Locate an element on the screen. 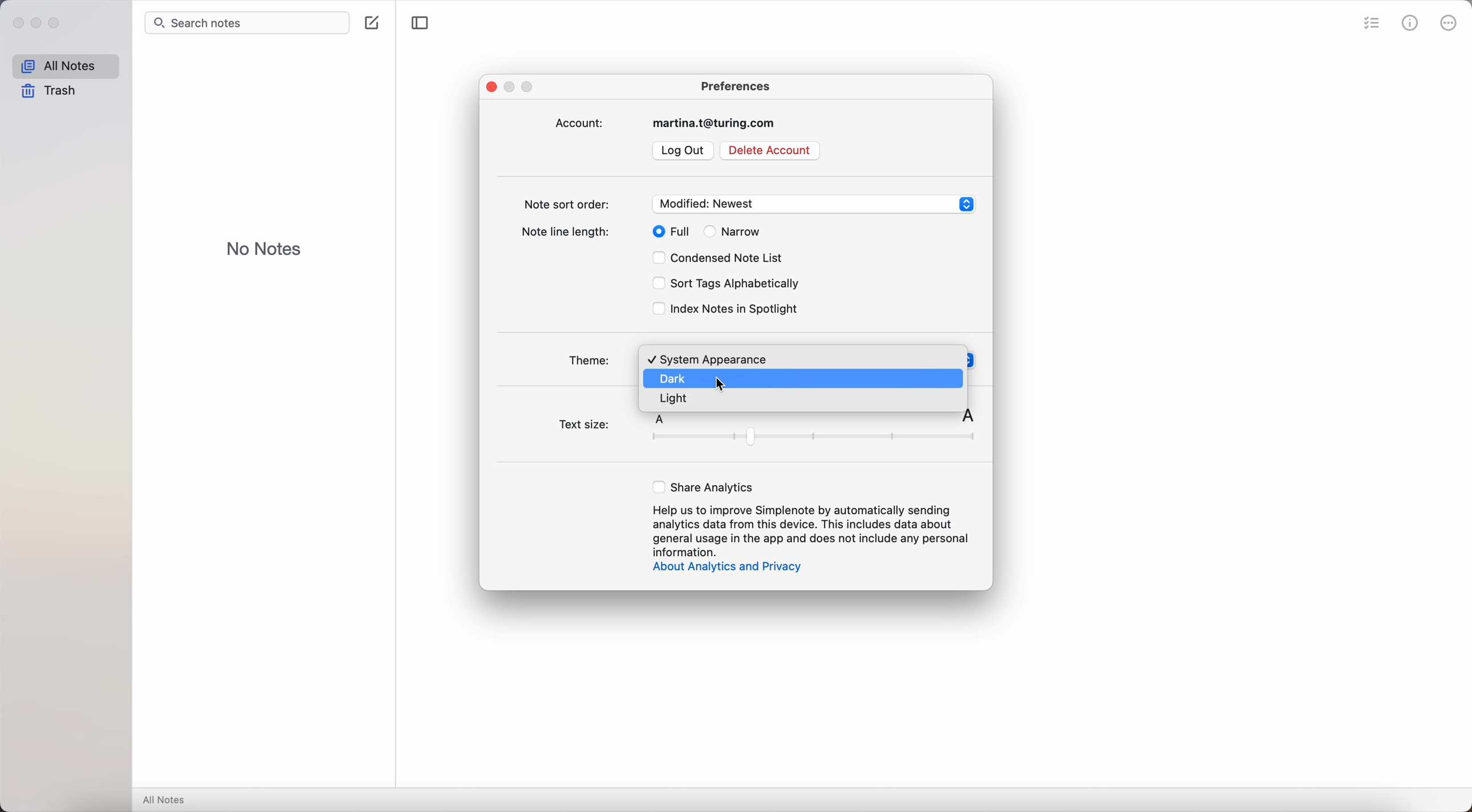 Image resolution: width=1472 pixels, height=812 pixels. theme is located at coordinates (591, 357).